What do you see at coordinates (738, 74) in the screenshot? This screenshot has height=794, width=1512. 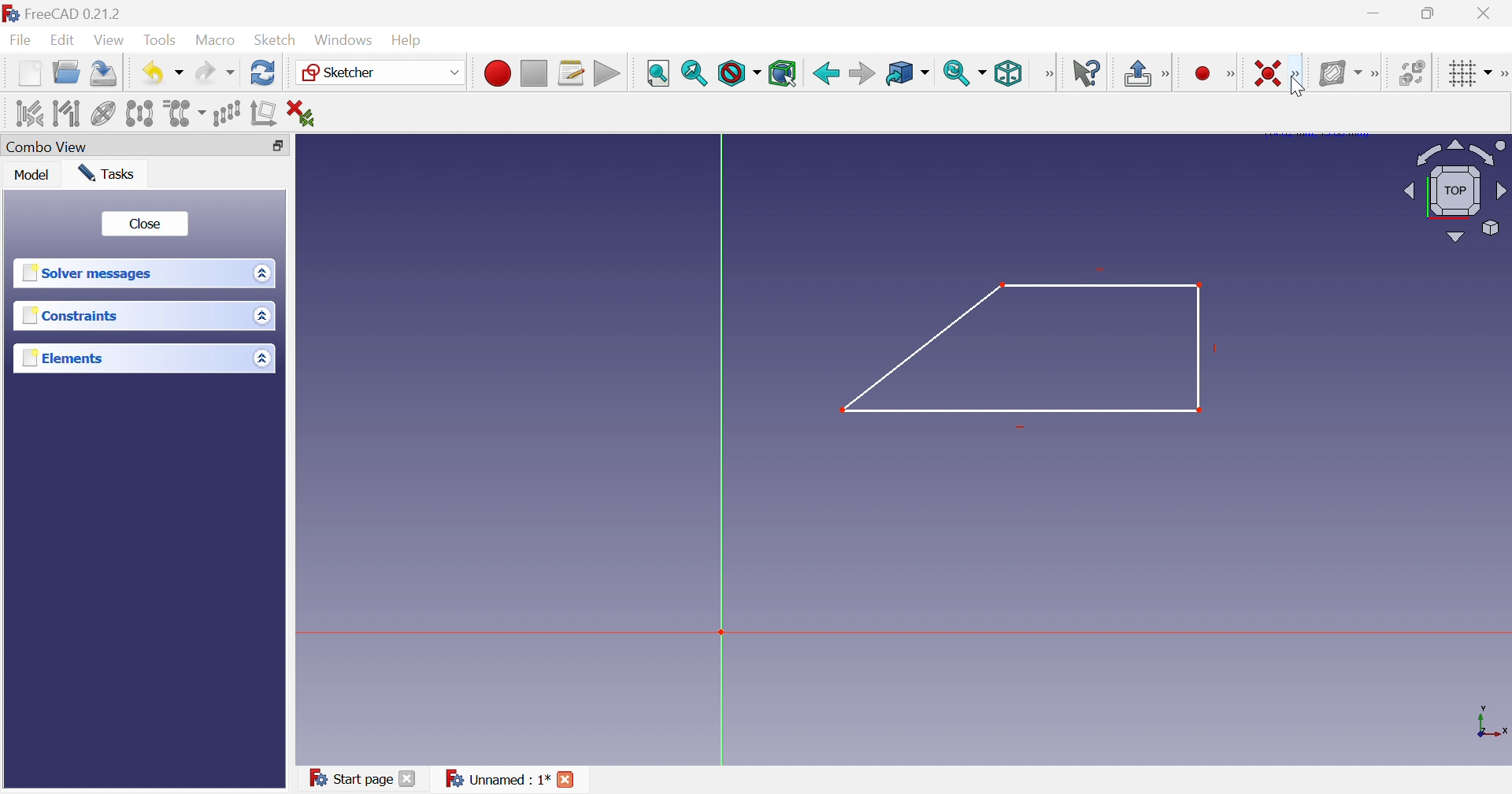 I see `Draw Style` at bounding box center [738, 74].